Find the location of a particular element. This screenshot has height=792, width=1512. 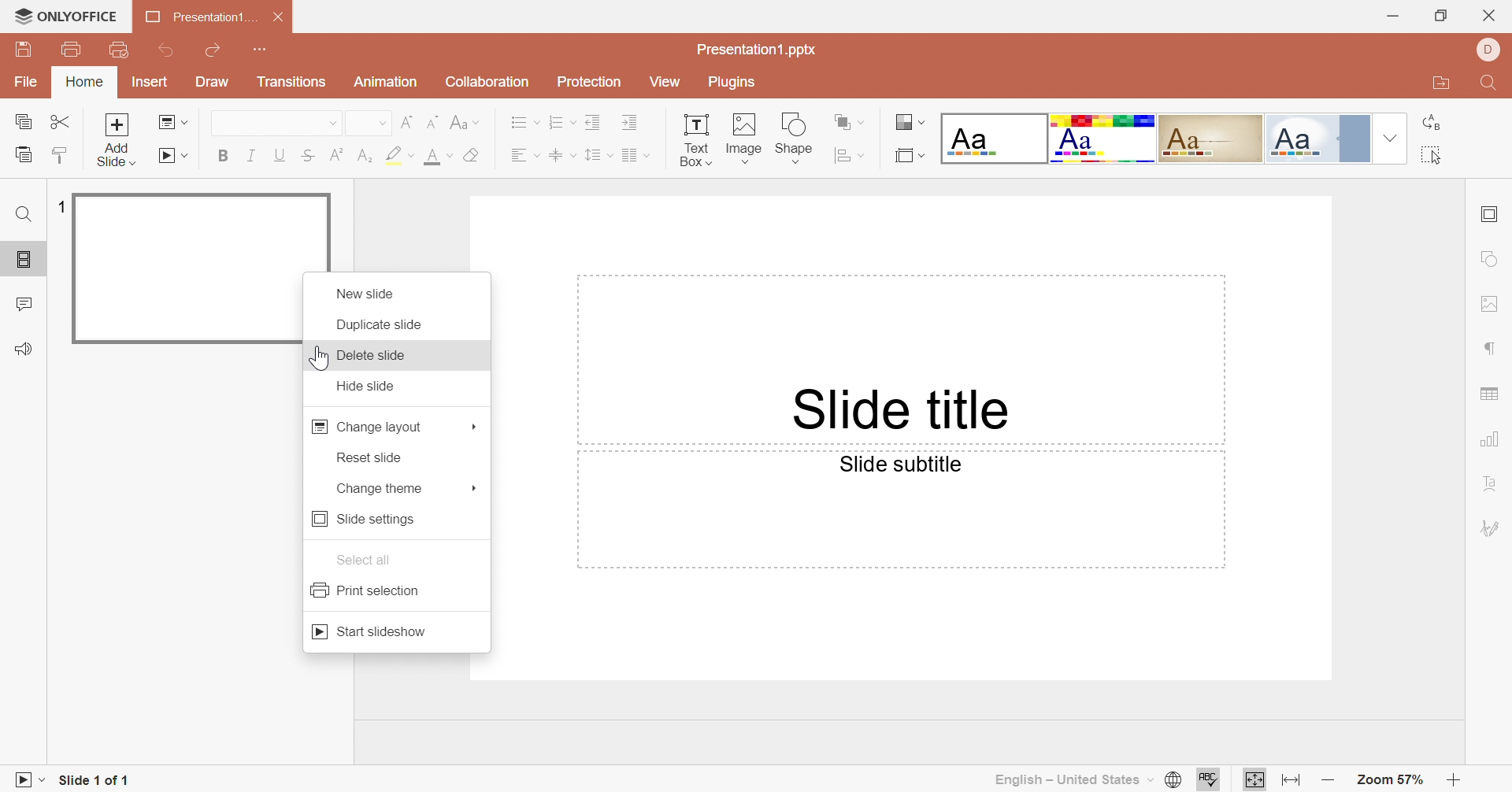

Slide title is located at coordinates (900, 407).